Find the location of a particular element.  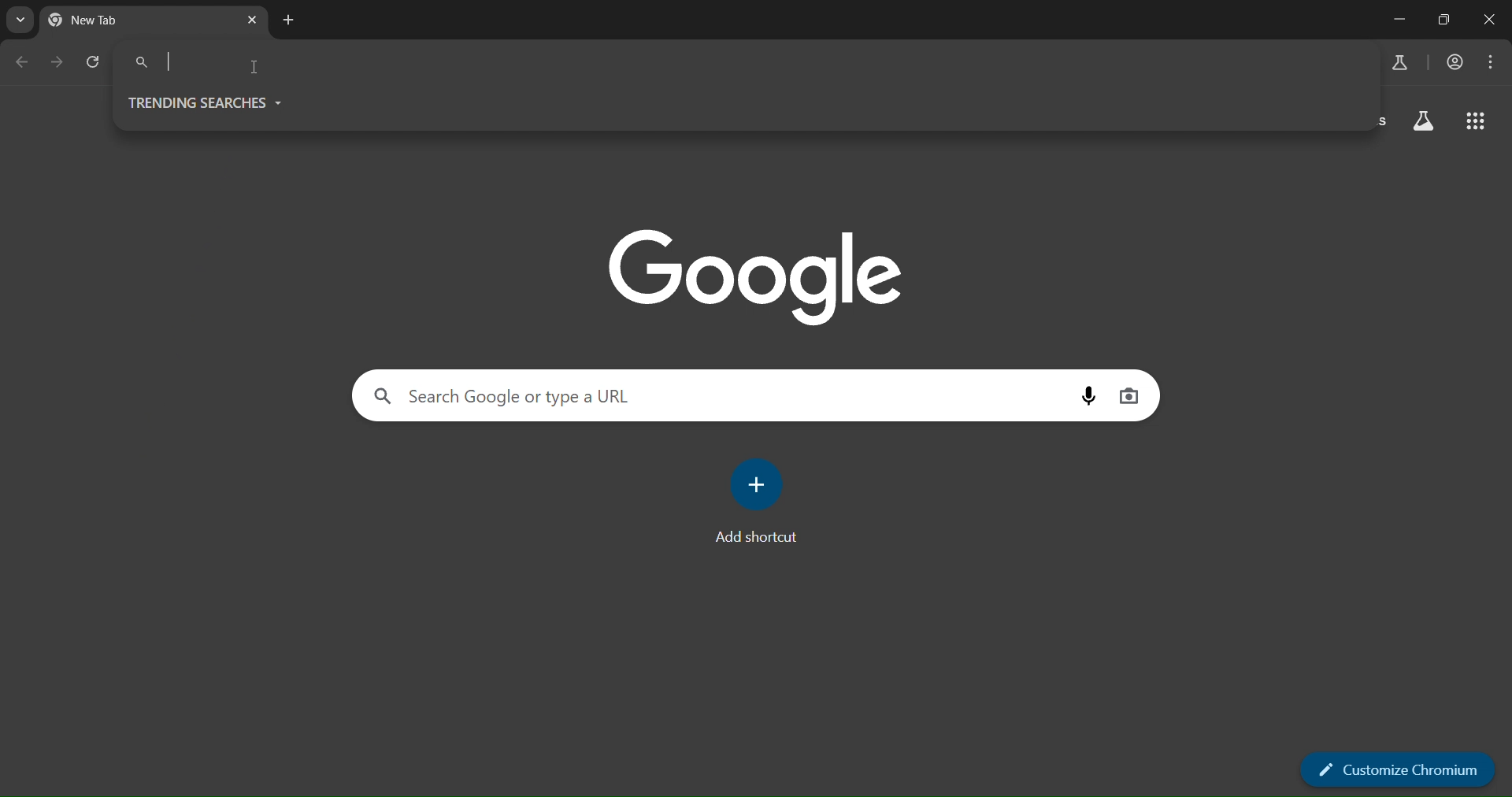

search Google or type a URL is located at coordinates (539, 396).